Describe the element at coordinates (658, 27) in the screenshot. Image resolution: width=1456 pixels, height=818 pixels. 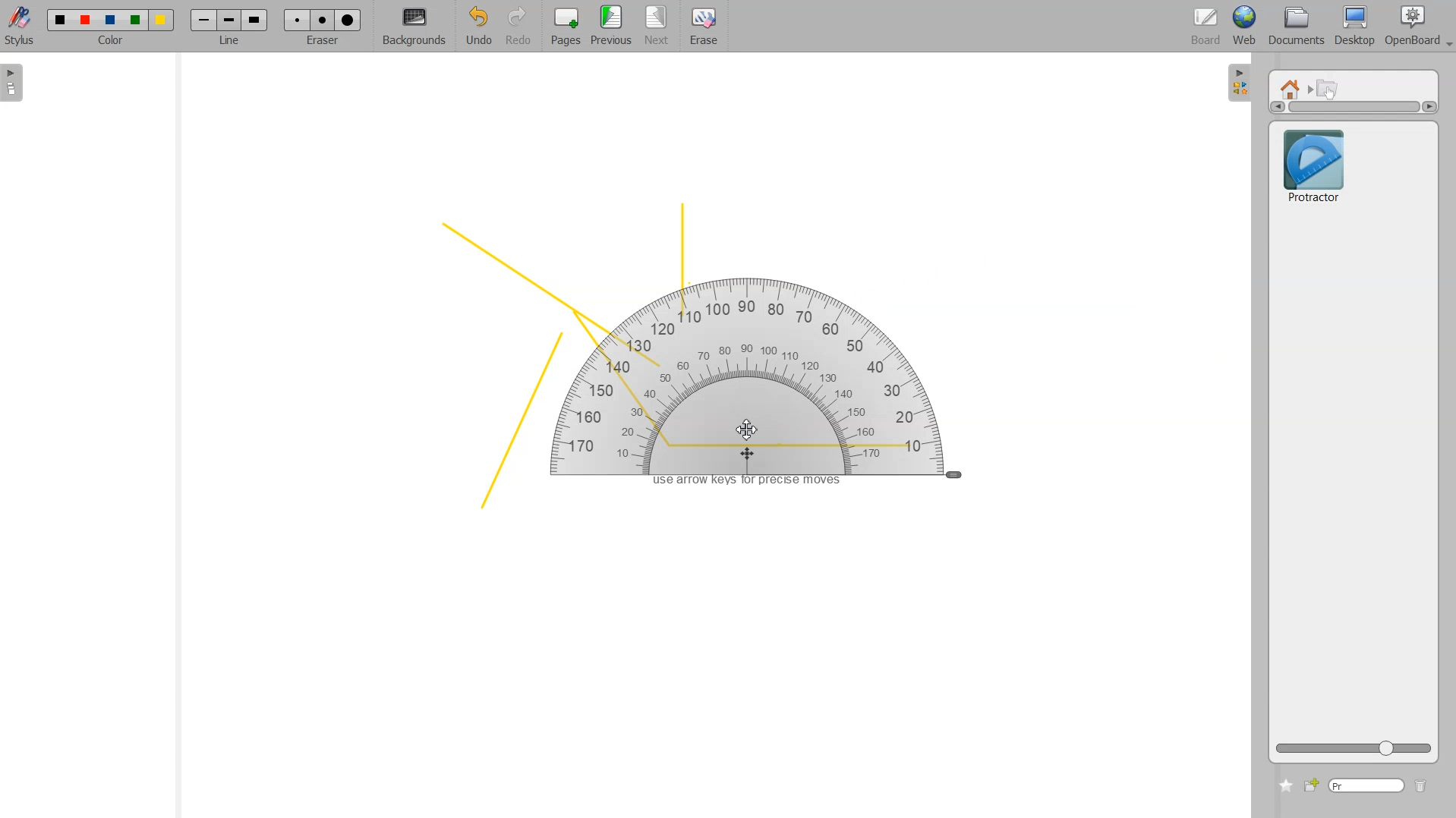
I see `Next` at that location.